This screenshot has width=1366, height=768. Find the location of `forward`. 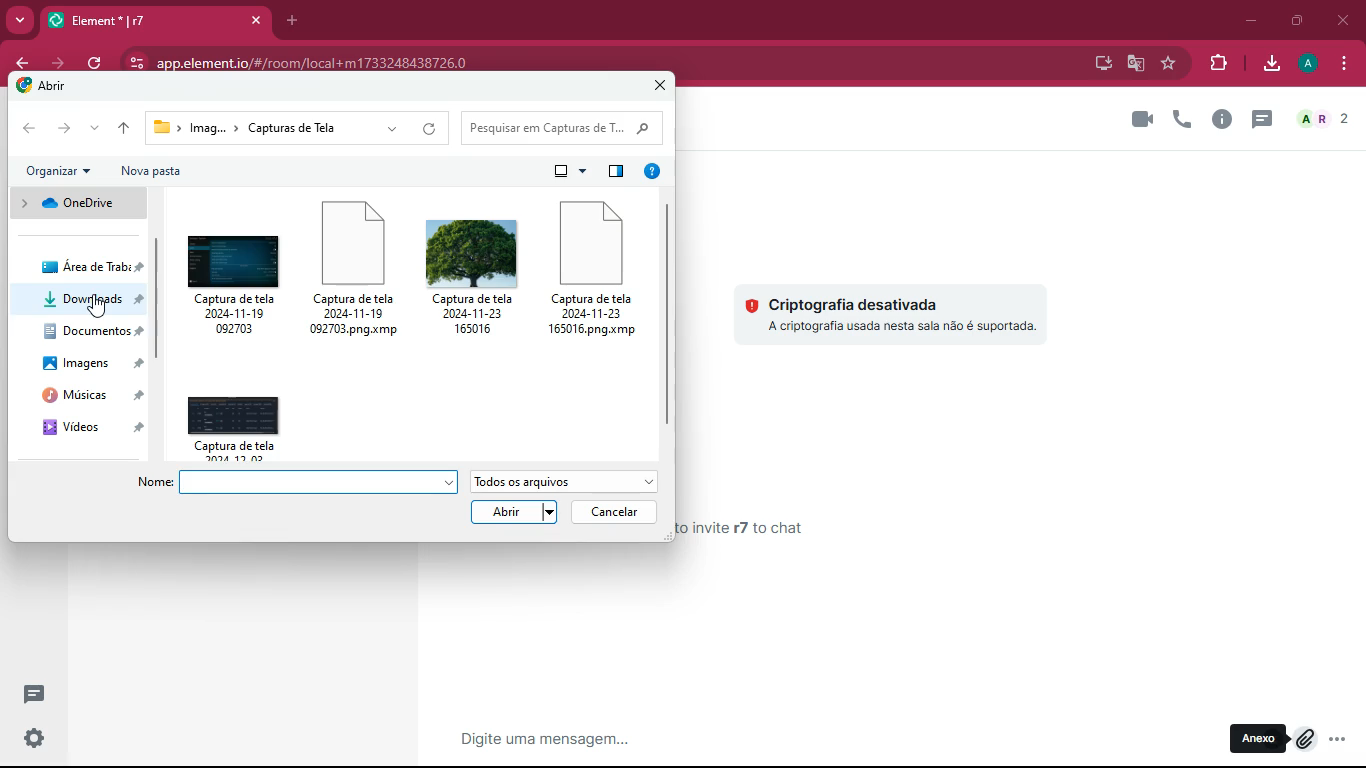

forward is located at coordinates (54, 64).